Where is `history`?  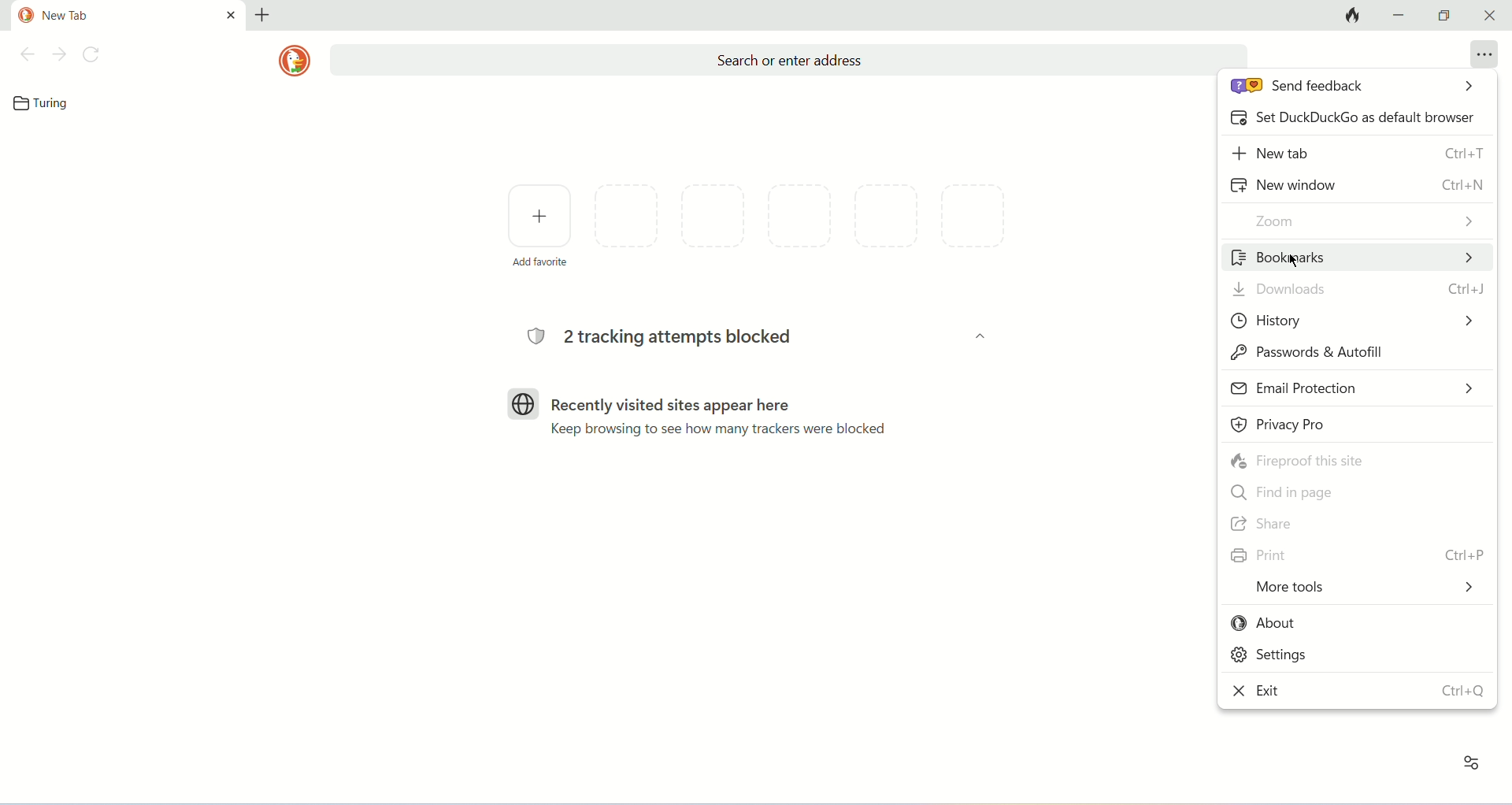
history is located at coordinates (1357, 321).